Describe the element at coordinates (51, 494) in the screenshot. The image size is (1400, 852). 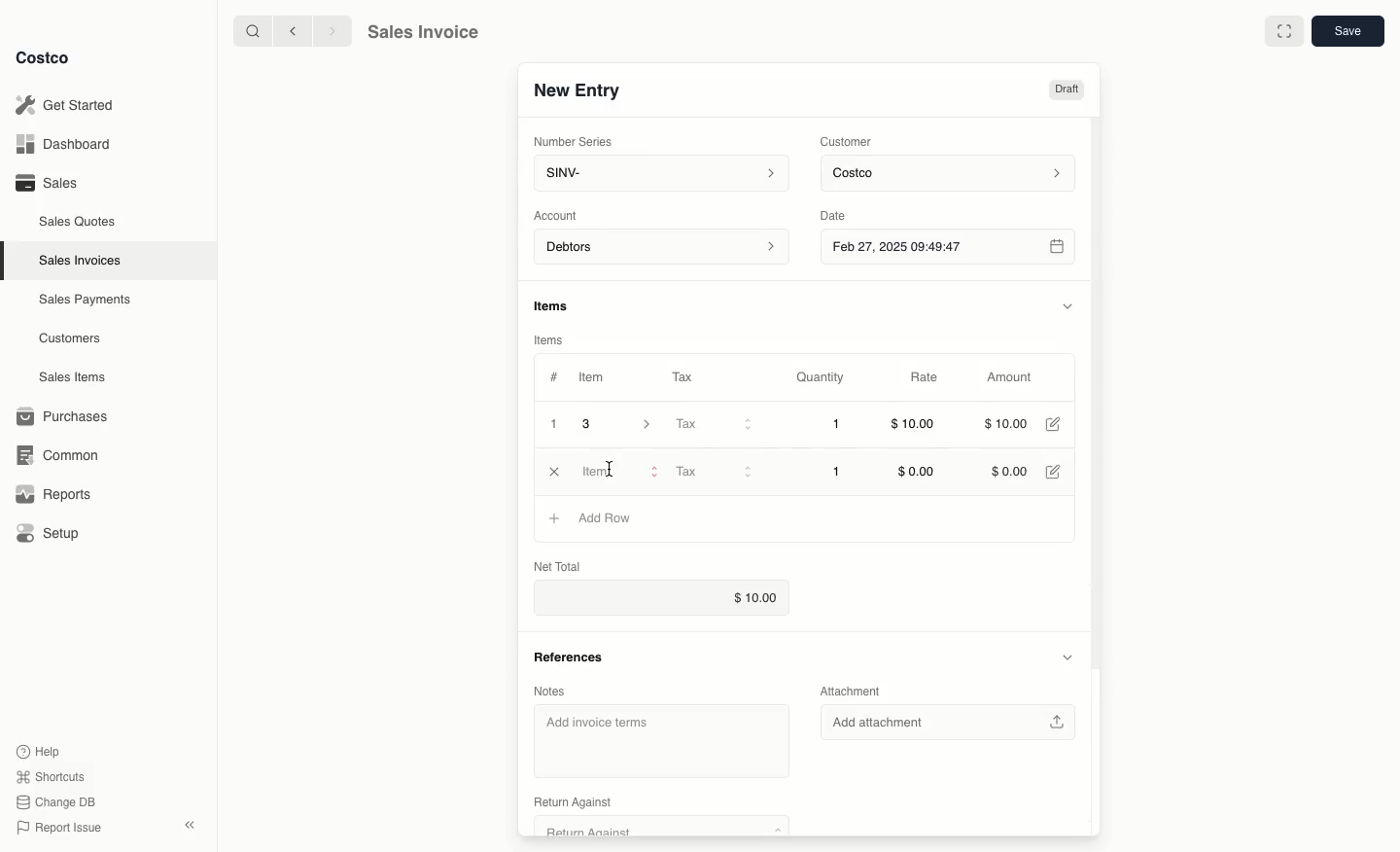
I see `Reports` at that location.